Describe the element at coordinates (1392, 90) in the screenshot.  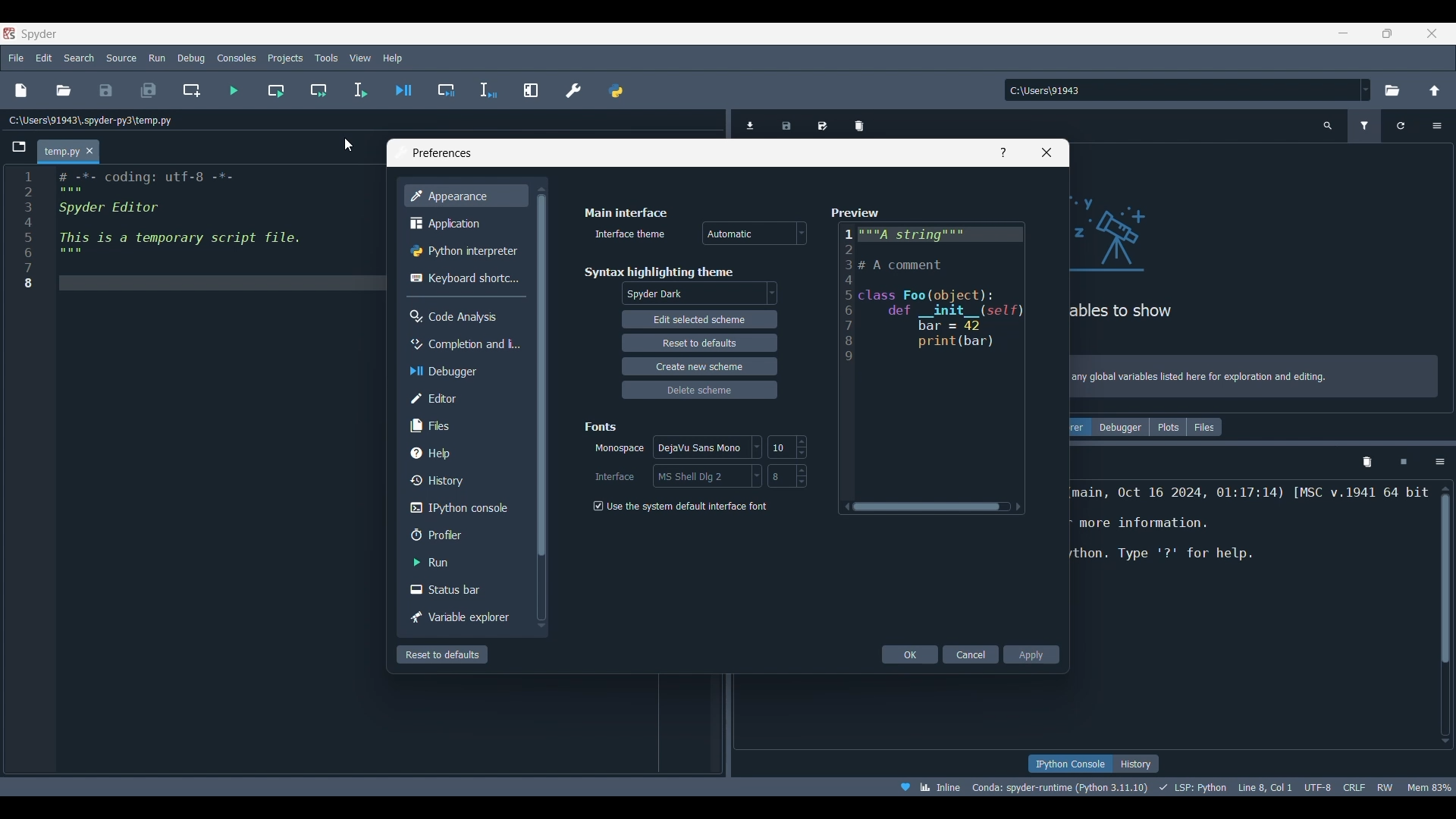
I see `Browse working directory` at that location.